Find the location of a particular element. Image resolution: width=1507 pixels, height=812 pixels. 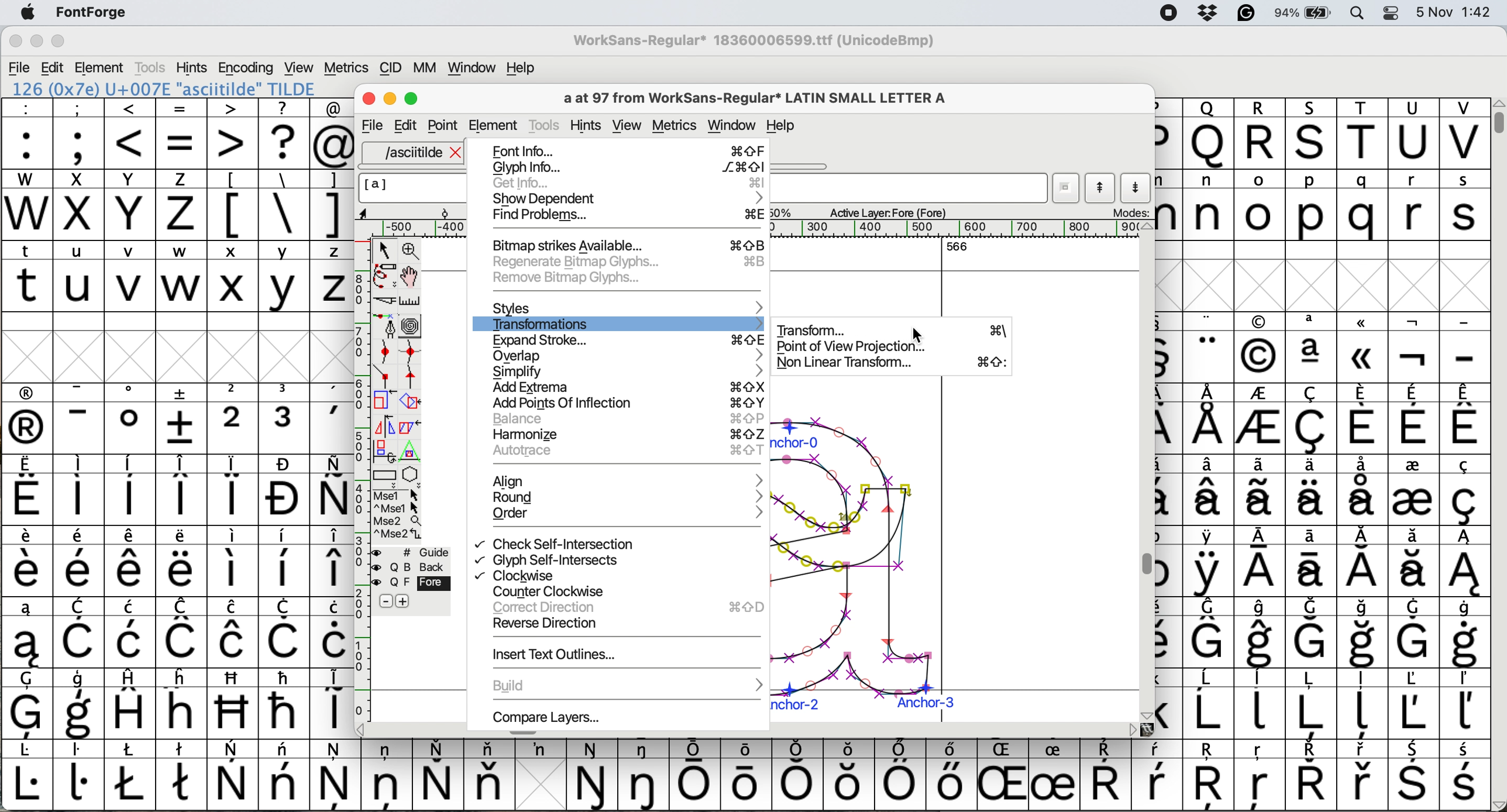

 is located at coordinates (1259, 348).